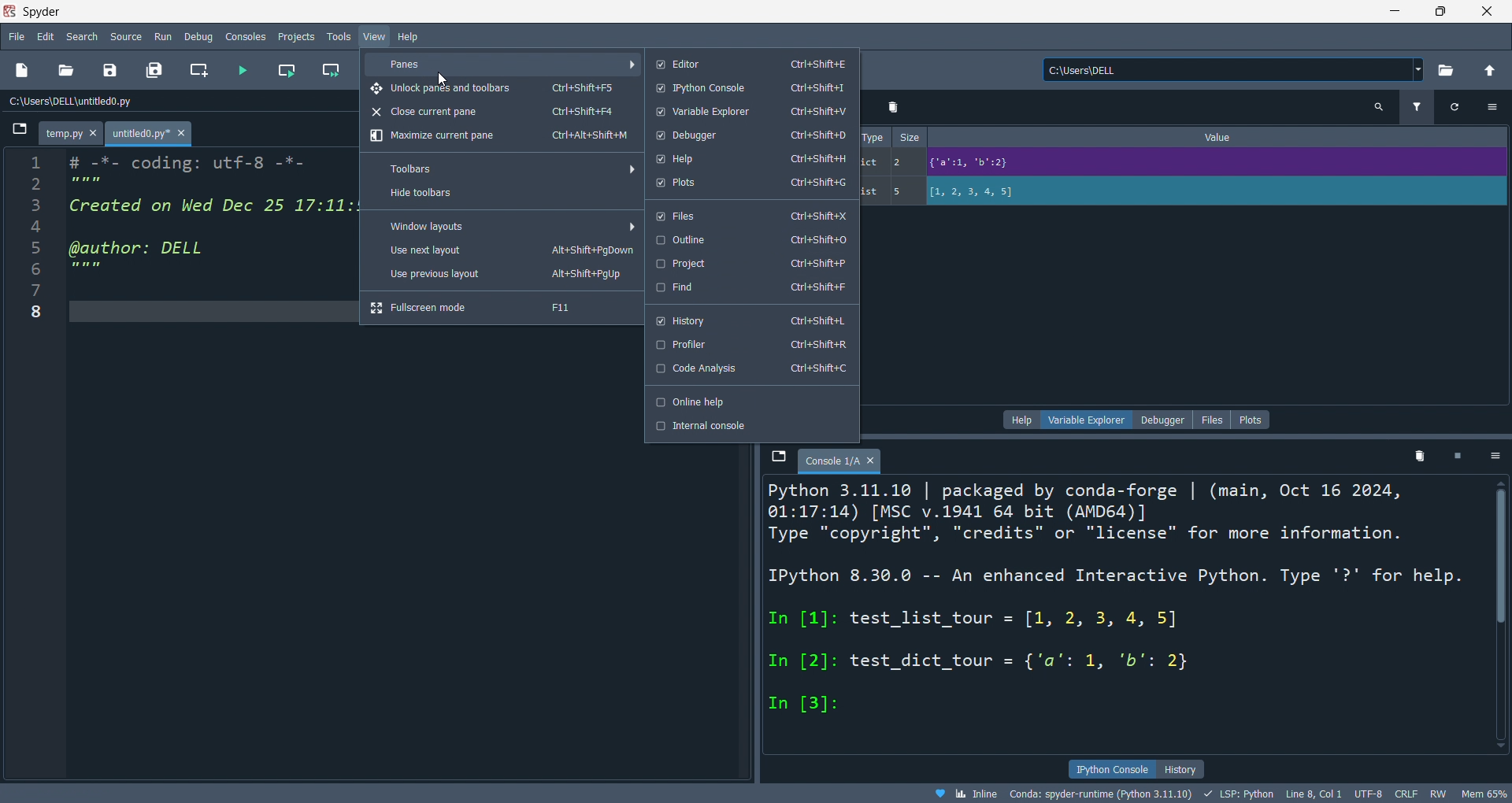  Describe the element at coordinates (1498, 614) in the screenshot. I see `vertical scrollbar` at that location.